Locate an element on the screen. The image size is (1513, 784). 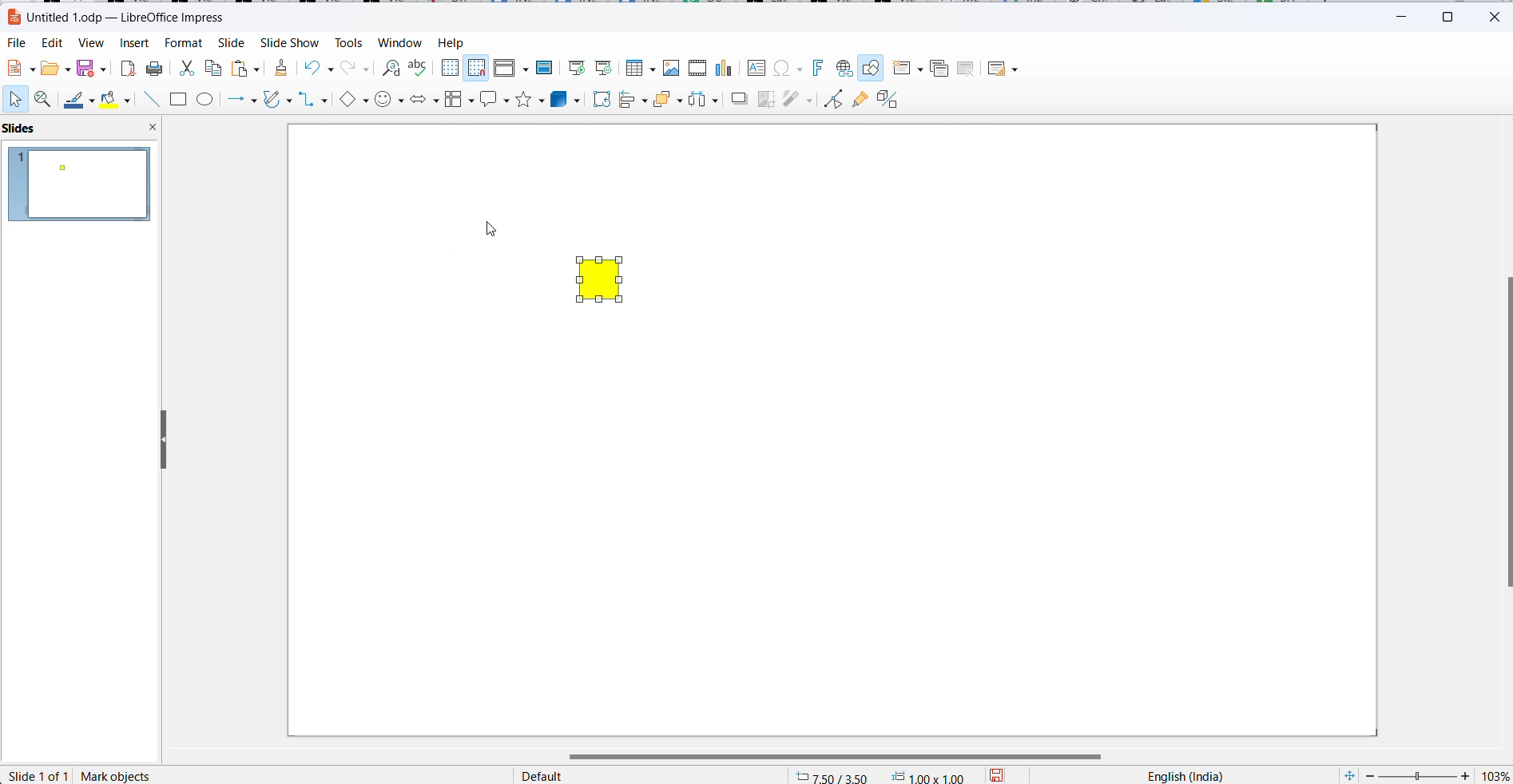
Insert text is located at coordinates (757, 67).